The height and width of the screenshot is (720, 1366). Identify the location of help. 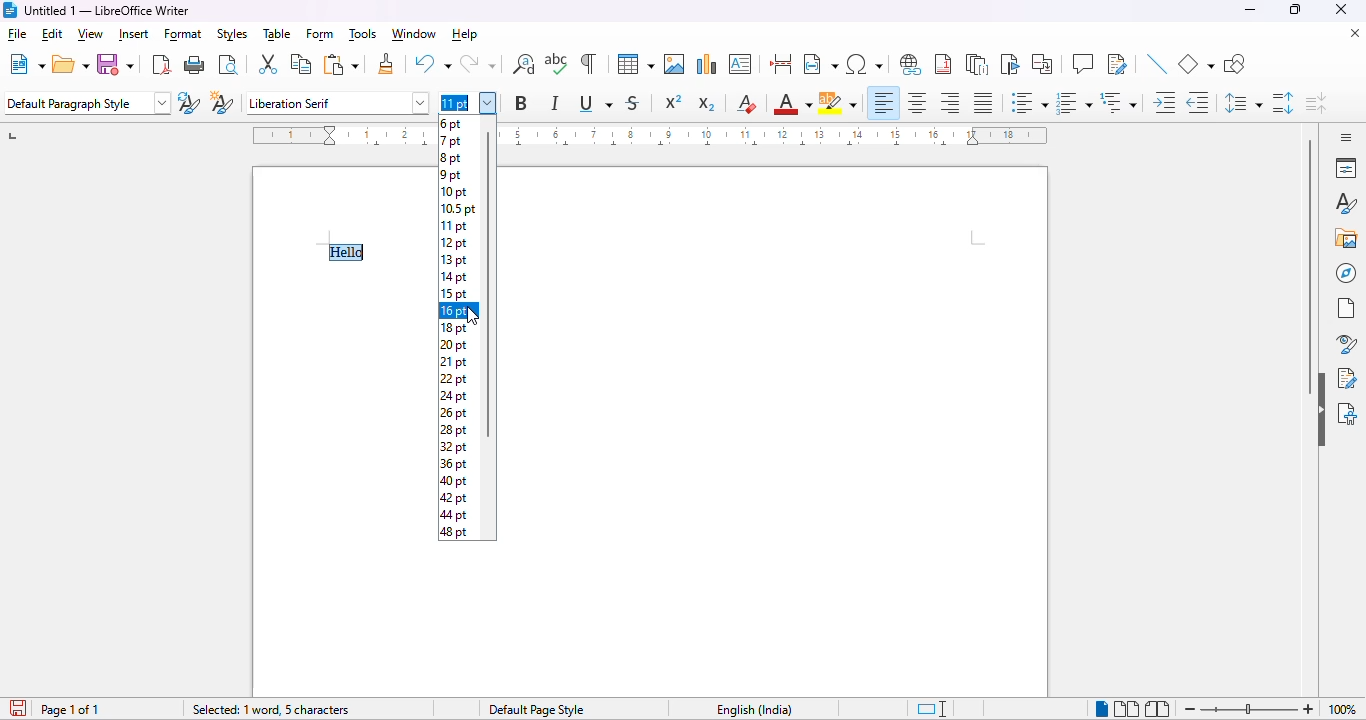
(464, 35).